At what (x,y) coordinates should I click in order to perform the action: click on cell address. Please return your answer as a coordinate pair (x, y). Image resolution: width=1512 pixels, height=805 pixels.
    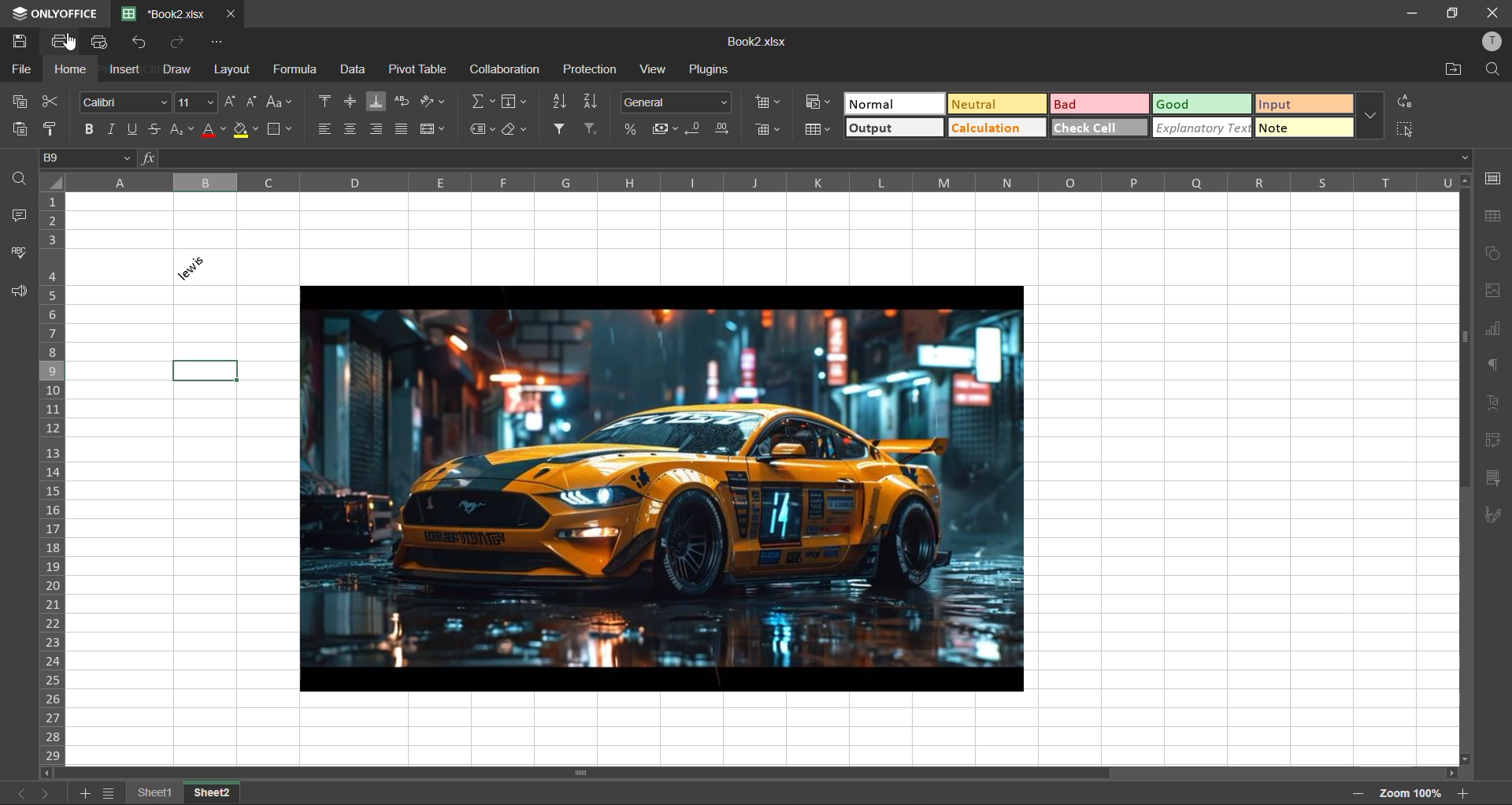
    Looking at the image, I should click on (88, 158).